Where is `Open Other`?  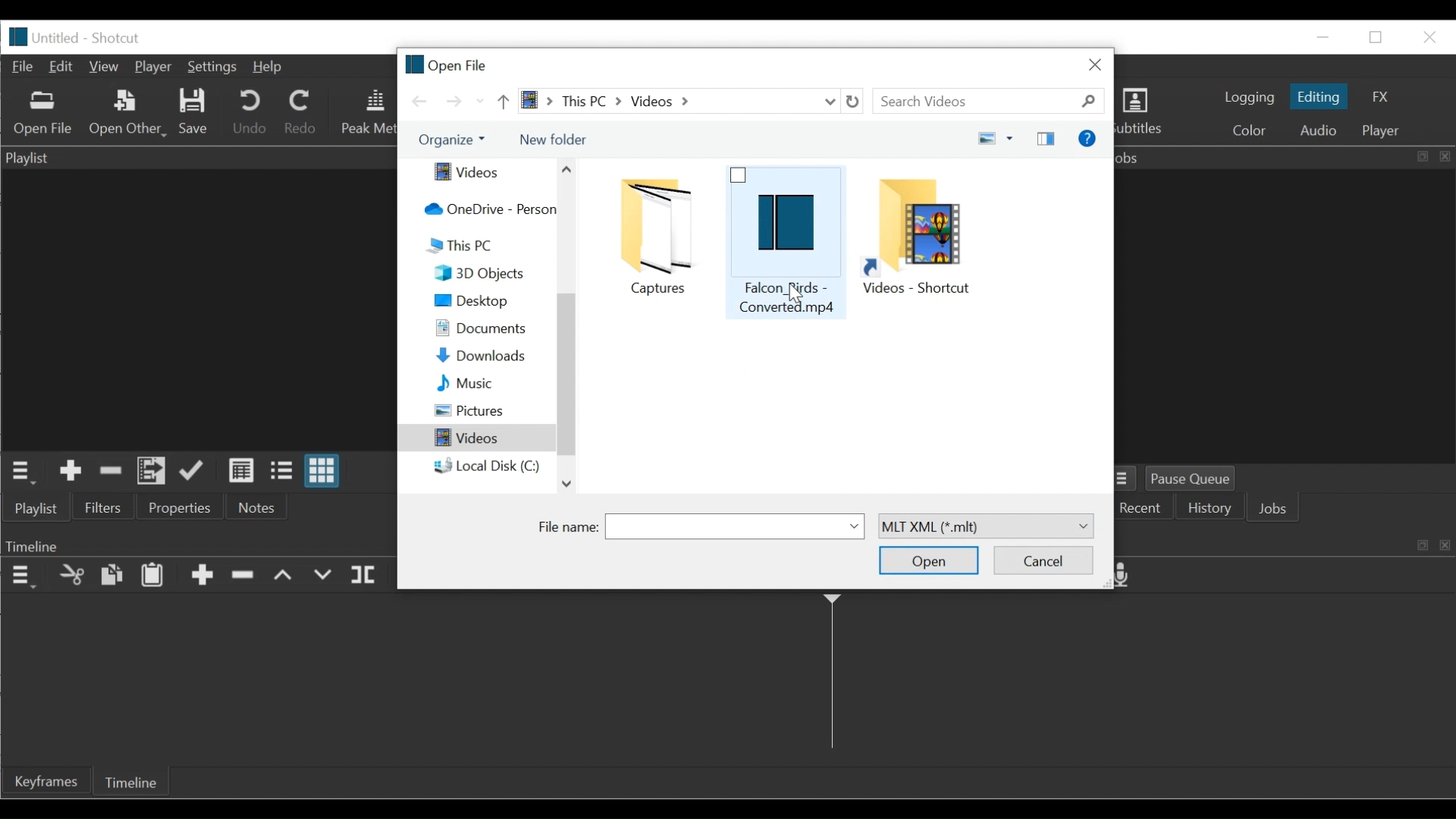 Open Other is located at coordinates (125, 112).